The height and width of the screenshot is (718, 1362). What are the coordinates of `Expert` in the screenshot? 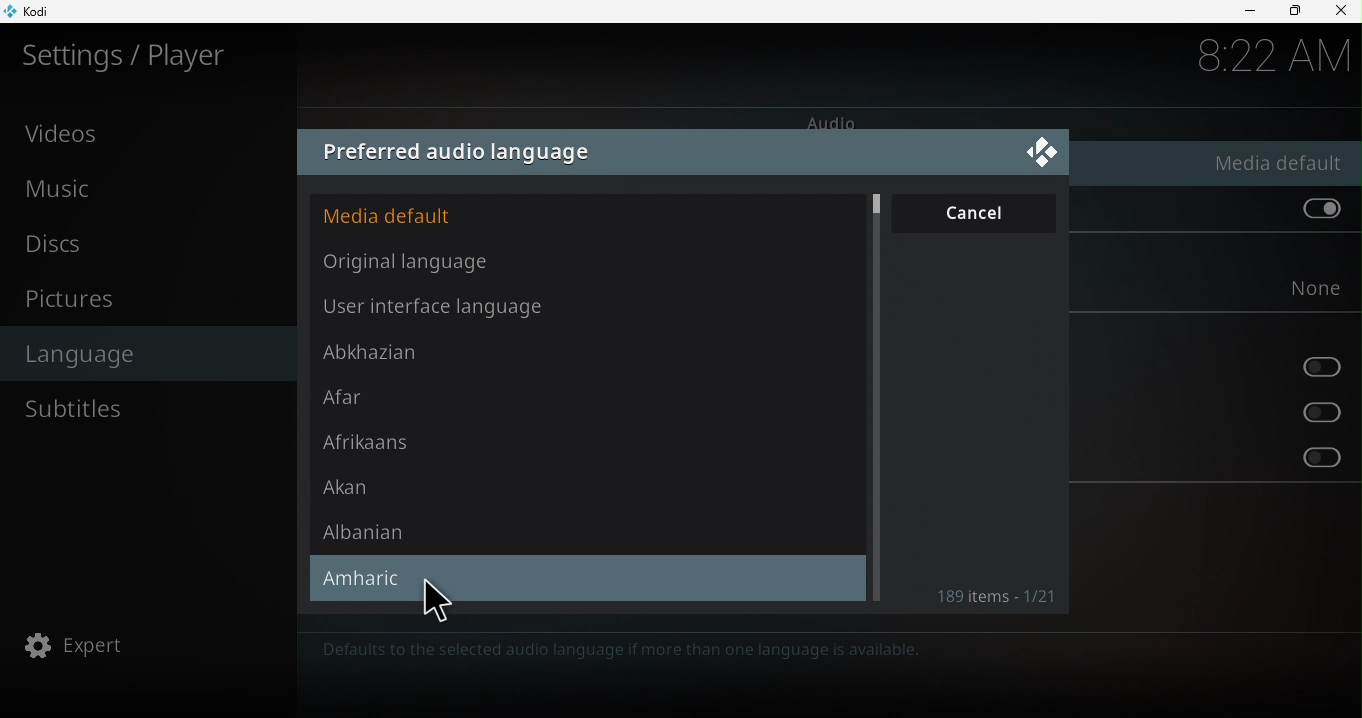 It's located at (142, 647).